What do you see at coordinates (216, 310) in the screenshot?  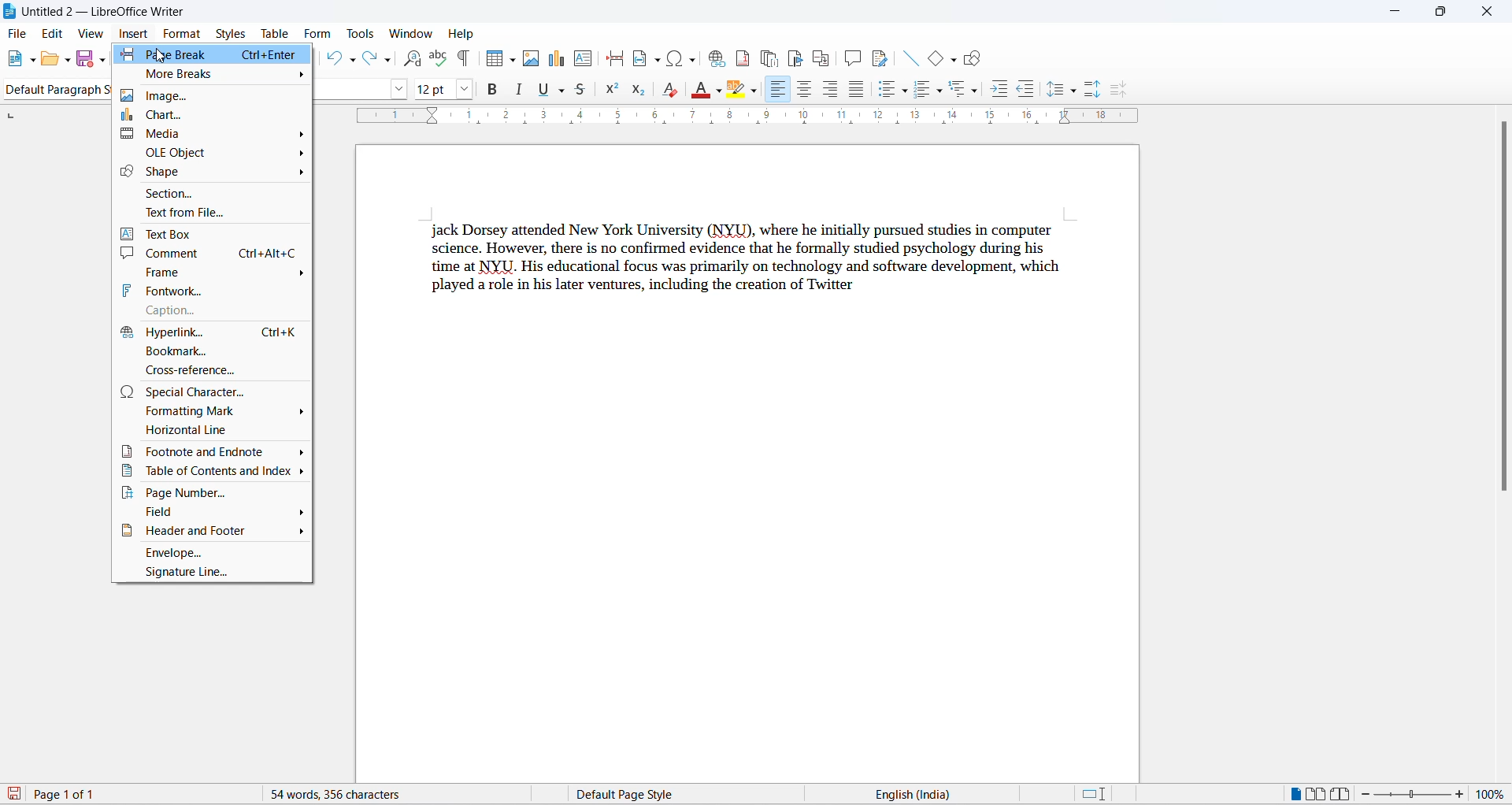 I see `caption` at bounding box center [216, 310].